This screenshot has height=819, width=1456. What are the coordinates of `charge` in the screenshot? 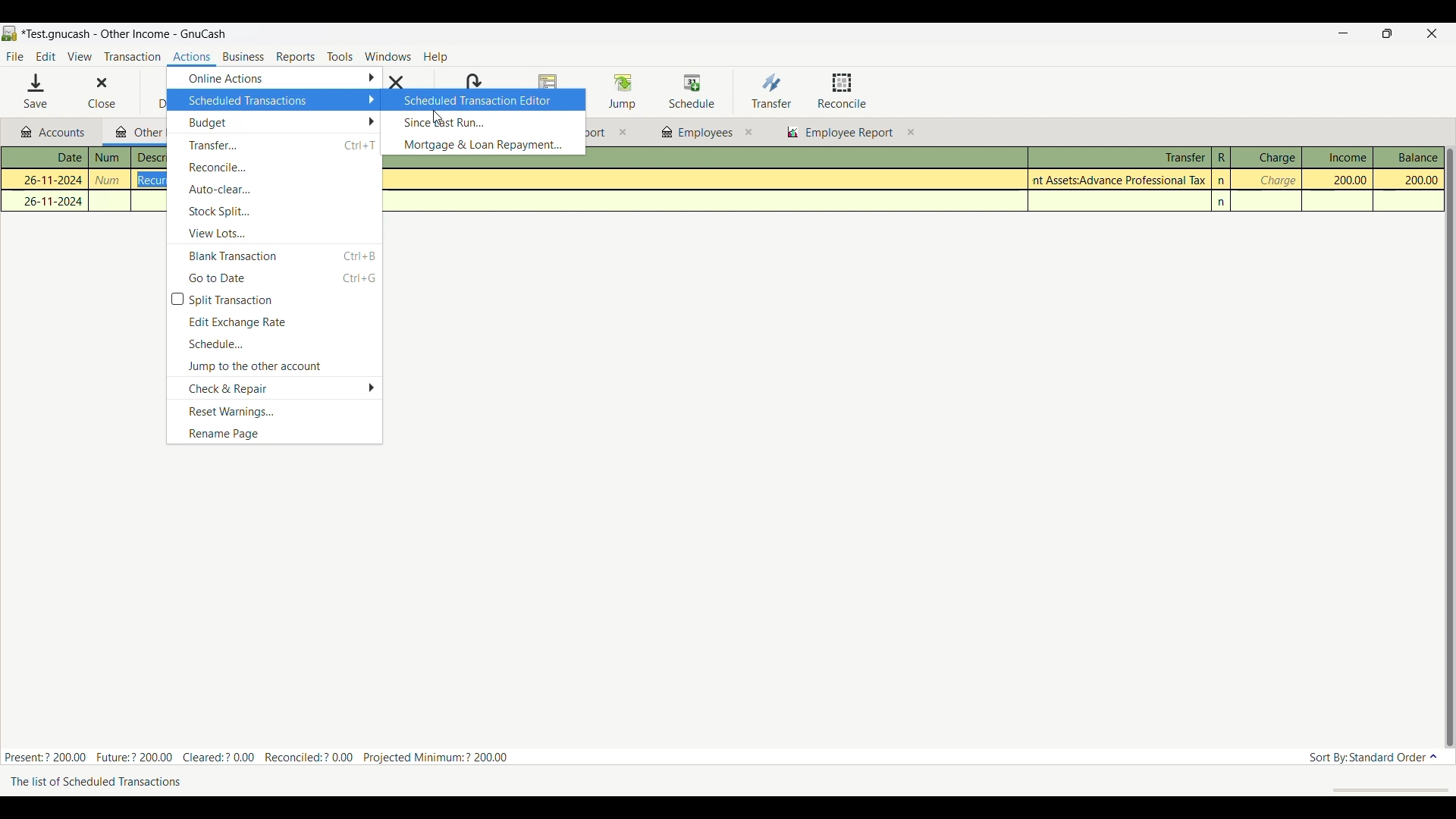 It's located at (1276, 180).